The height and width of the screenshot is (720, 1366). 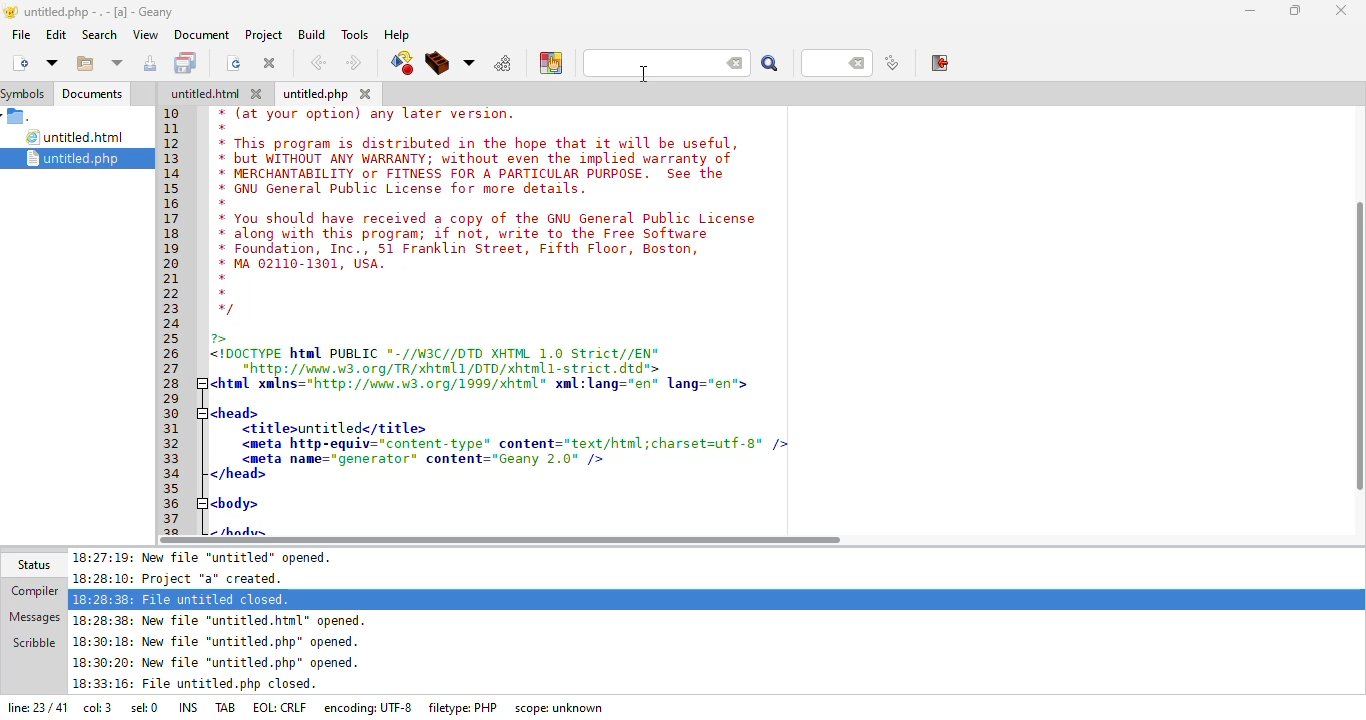 What do you see at coordinates (220, 278) in the screenshot?
I see `*` at bounding box center [220, 278].